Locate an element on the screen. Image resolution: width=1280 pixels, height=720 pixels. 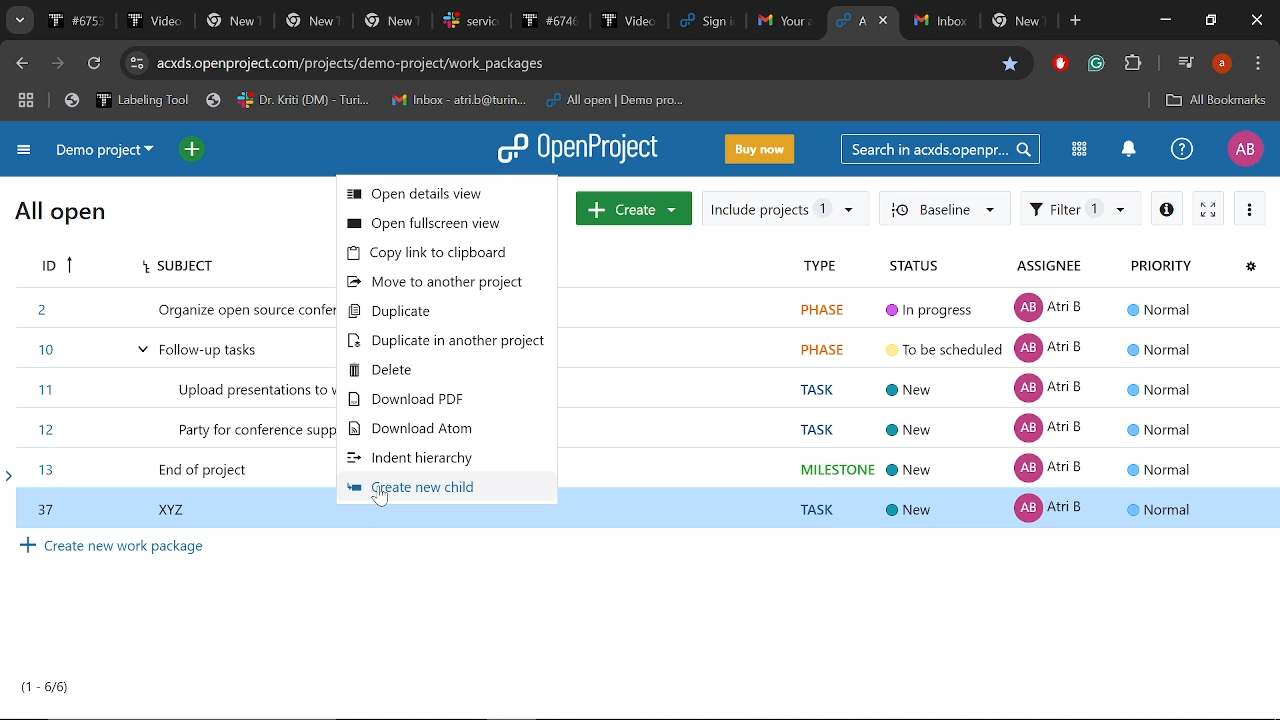
Create is located at coordinates (634, 207).